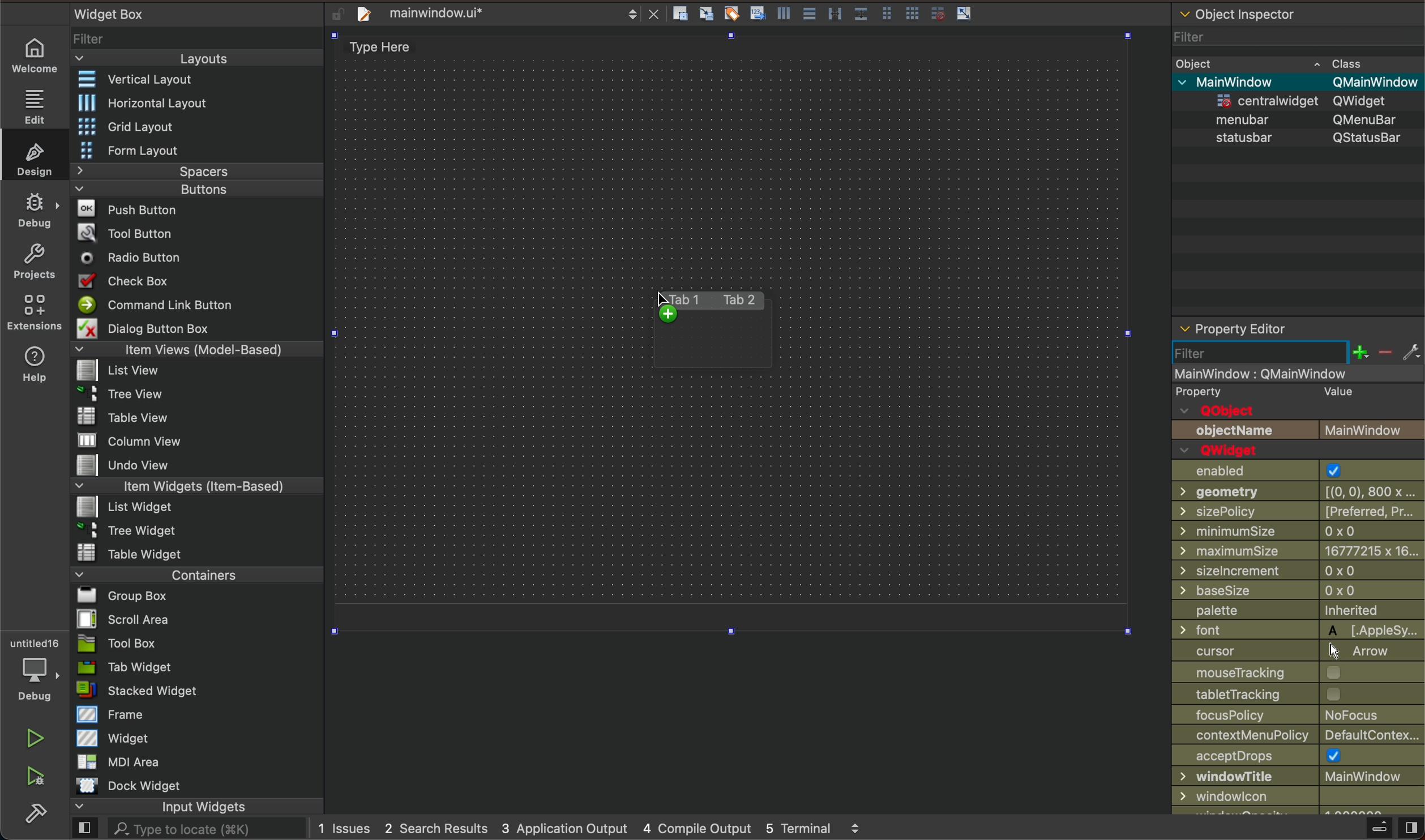 The image size is (1425, 840). What do you see at coordinates (1298, 571) in the screenshot?
I see `size increment` at bounding box center [1298, 571].